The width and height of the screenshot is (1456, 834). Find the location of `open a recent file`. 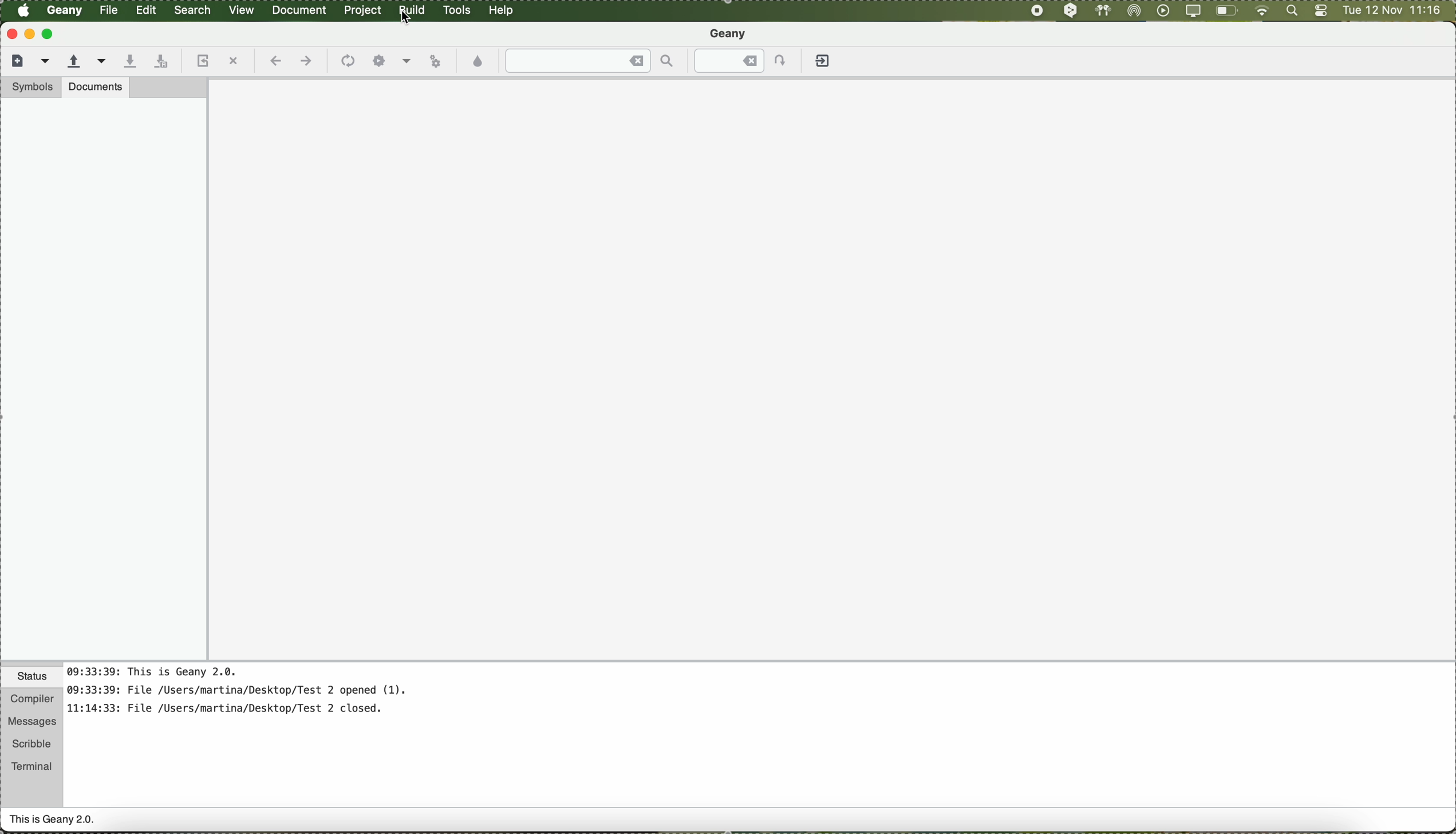

open a recent file is located at coordinates (102, 61).